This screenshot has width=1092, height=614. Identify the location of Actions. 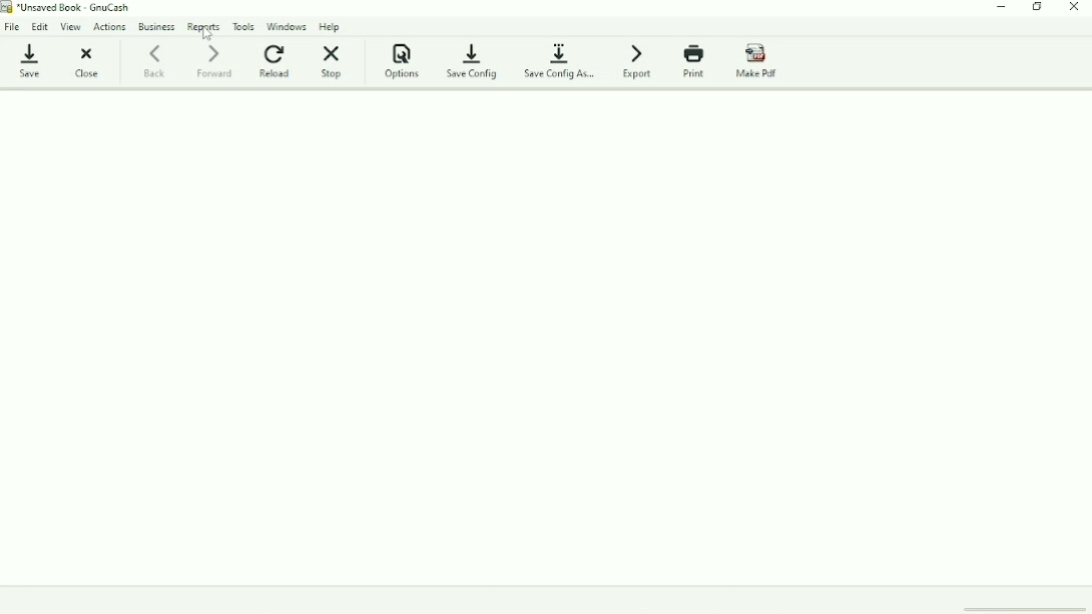
(111, 27).